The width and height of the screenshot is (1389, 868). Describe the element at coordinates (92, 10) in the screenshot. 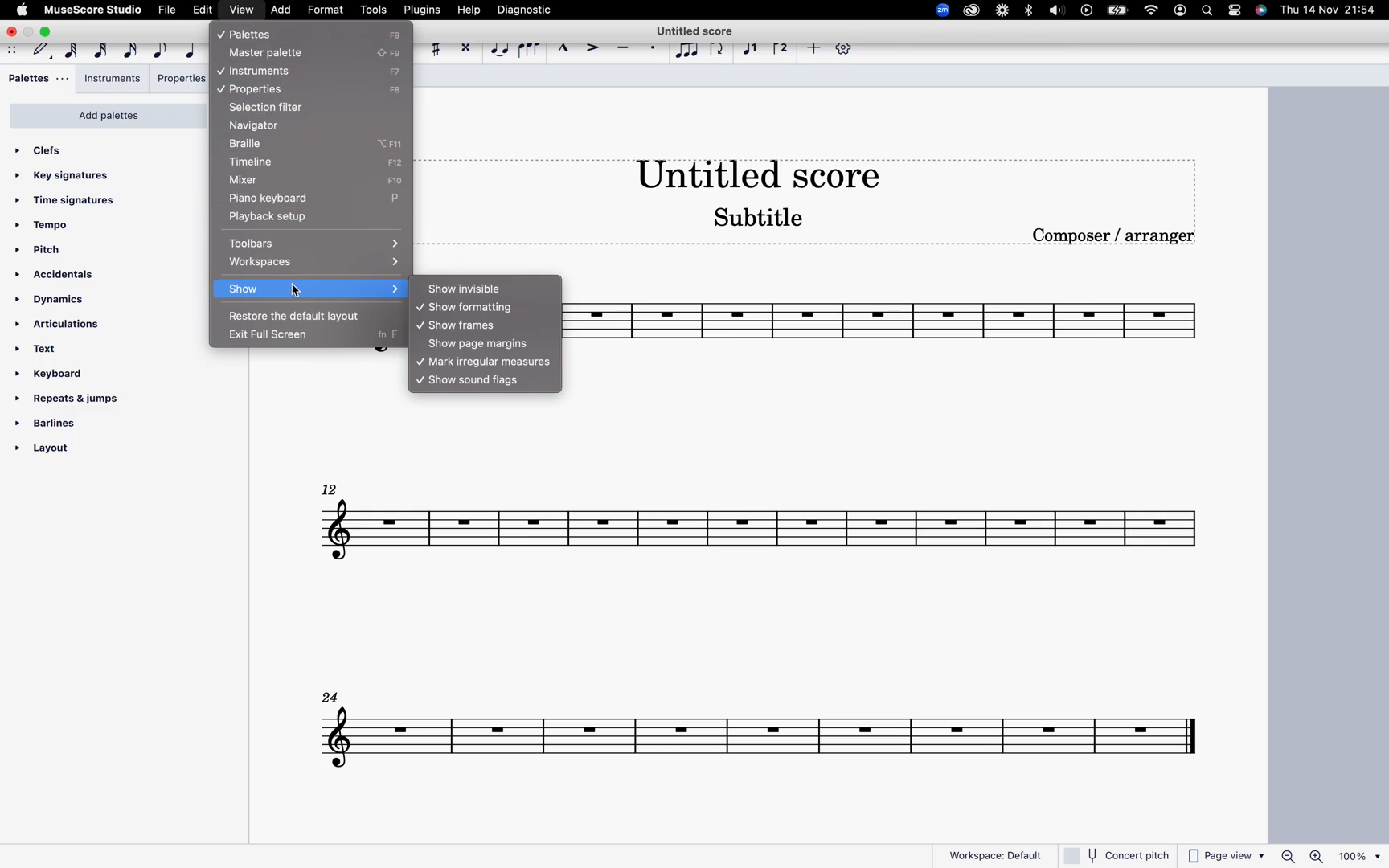

I see `musescore studio` at that location.